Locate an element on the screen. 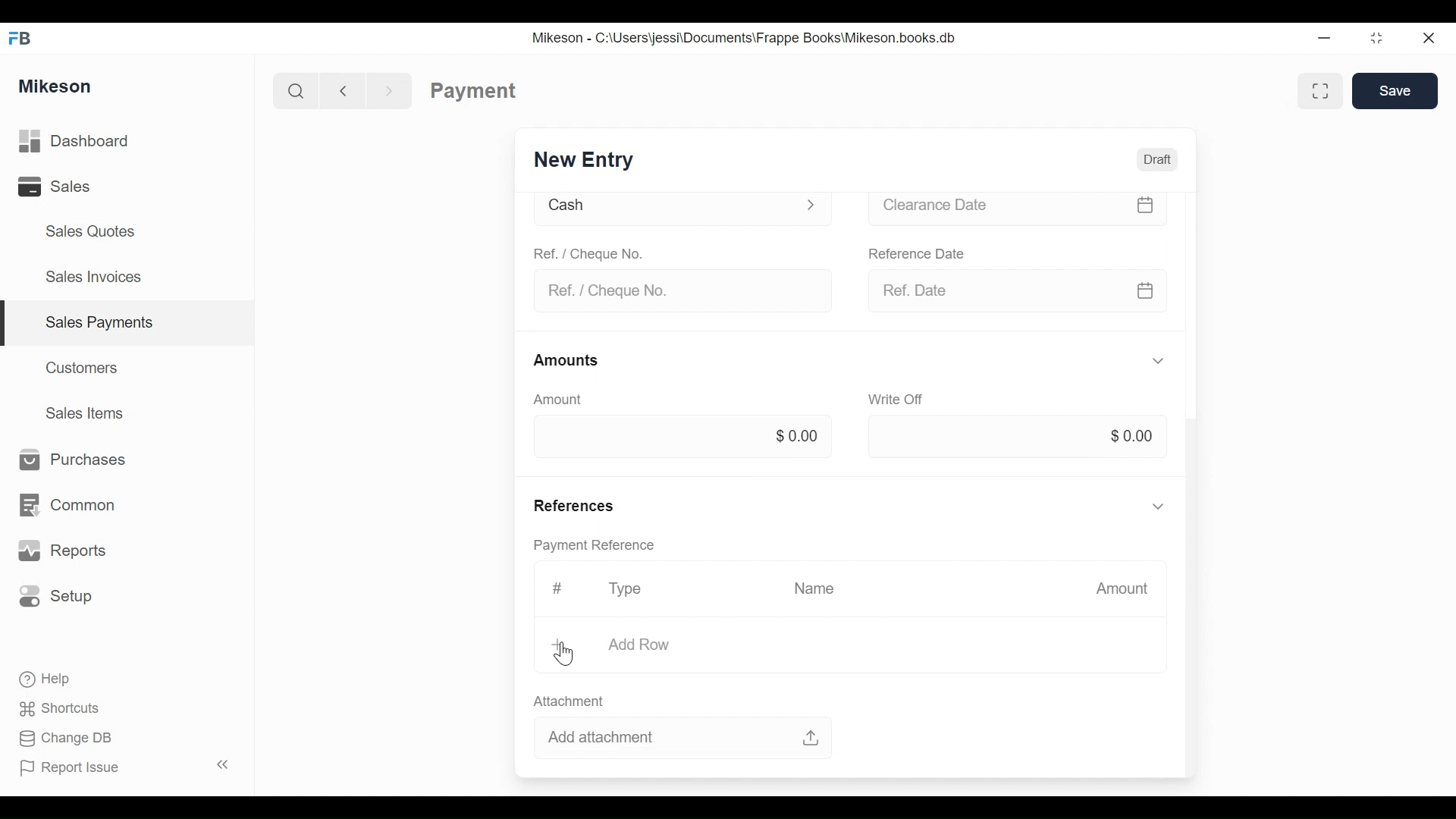  Add Row is located at coordinates (636, 645).